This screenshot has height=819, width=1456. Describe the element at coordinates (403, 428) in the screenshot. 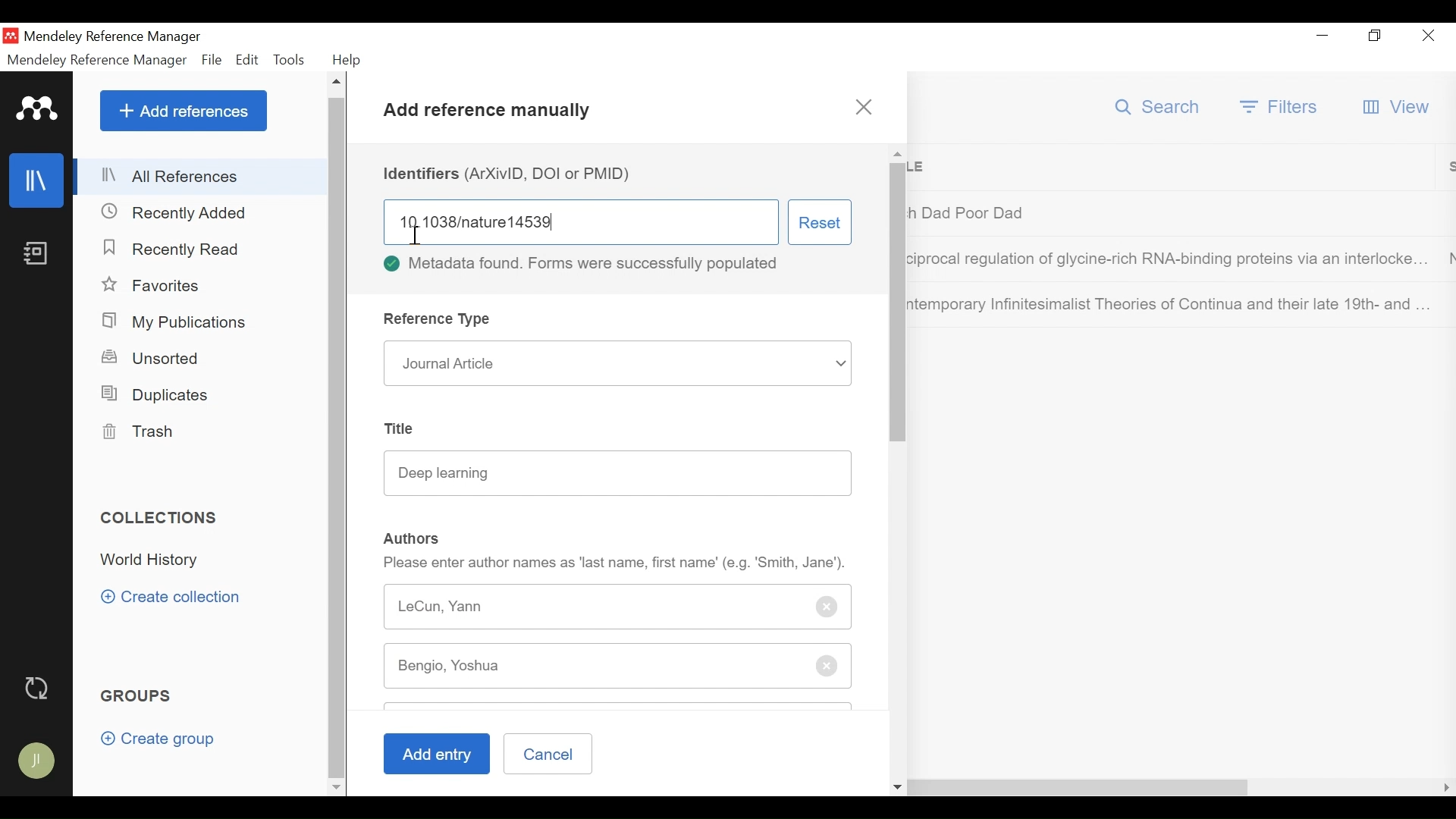

I see `Title` at that location.